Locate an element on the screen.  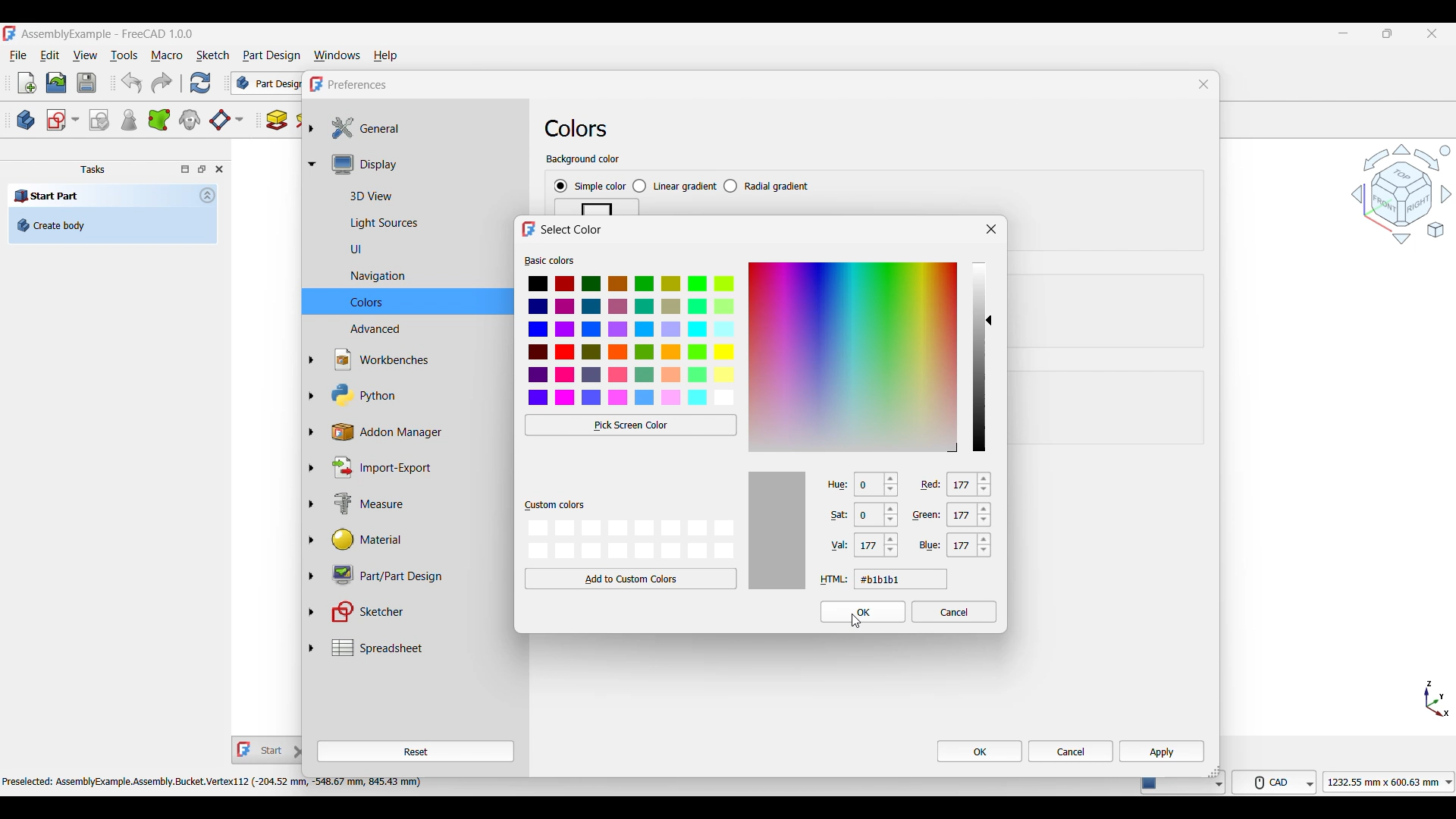
blue is located at coordinates (930, 544).